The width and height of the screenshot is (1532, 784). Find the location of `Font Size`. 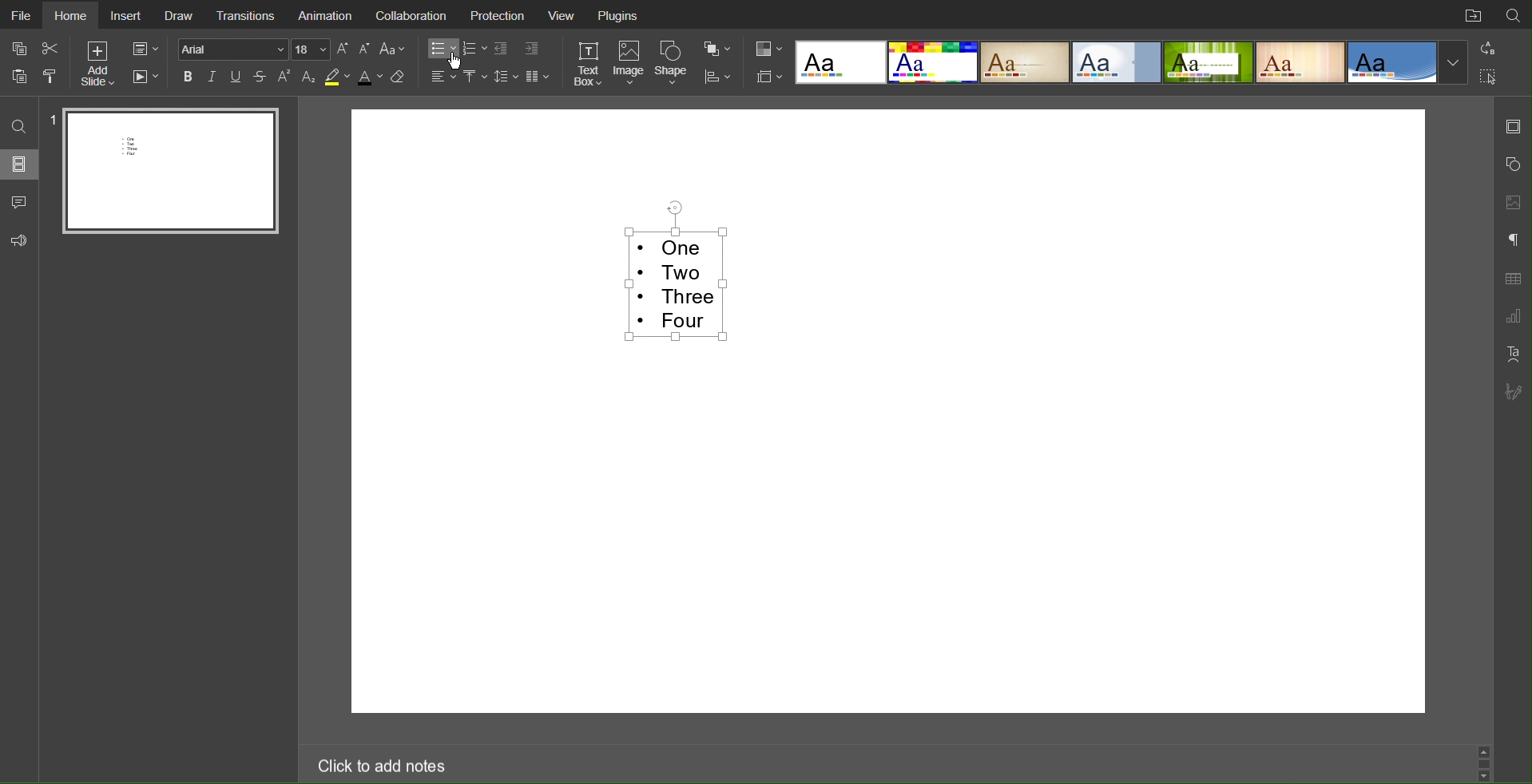

Font Size is located at coordinates (311, 49).